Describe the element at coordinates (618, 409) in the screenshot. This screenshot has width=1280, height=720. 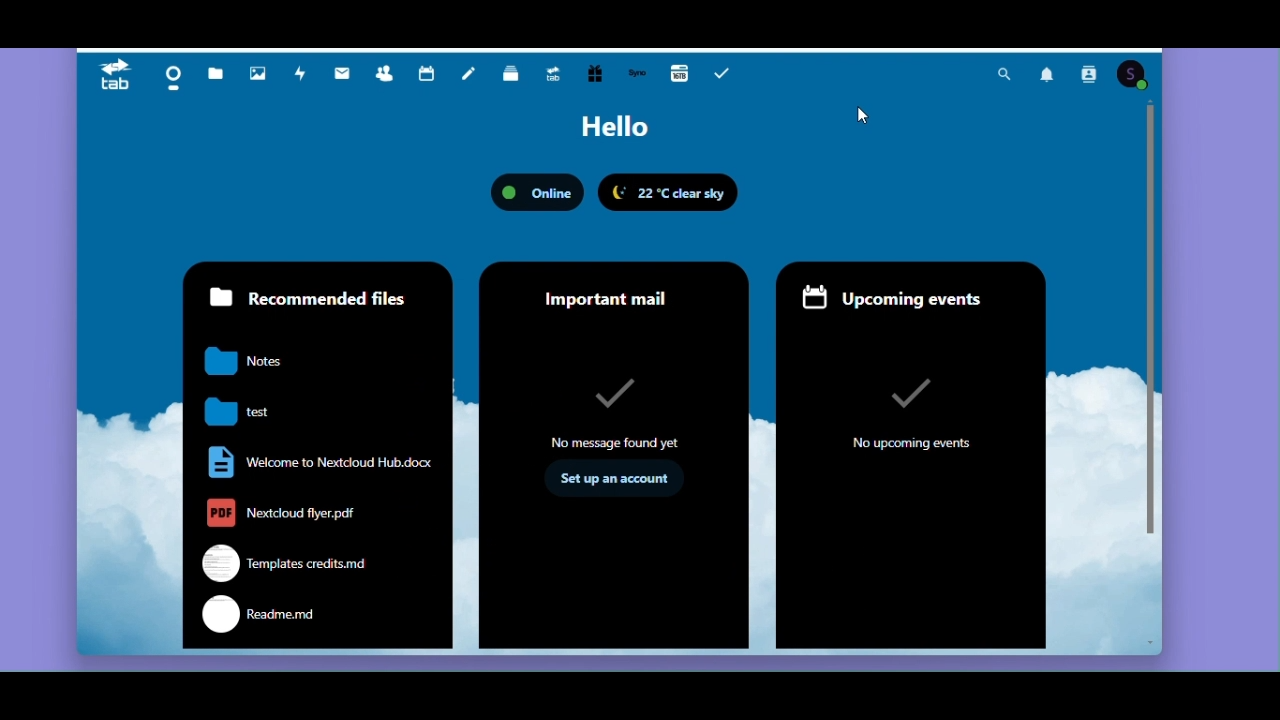
I see `no message found yet` at that location.